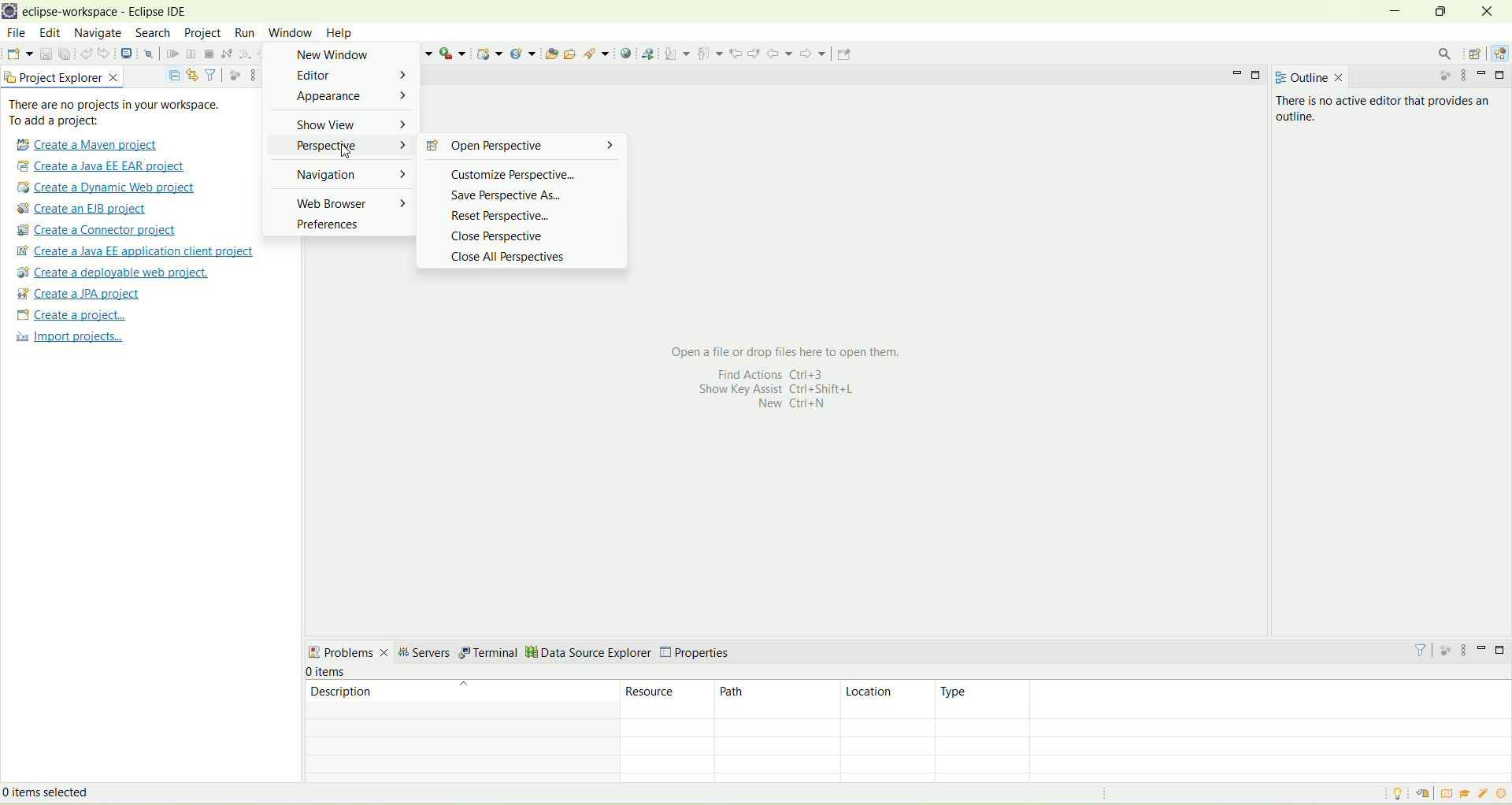 The width and height of the screenshot is (1512, 805). Describe the element at coordinates (44, 54) in the screenshot. I see `save` at that location.